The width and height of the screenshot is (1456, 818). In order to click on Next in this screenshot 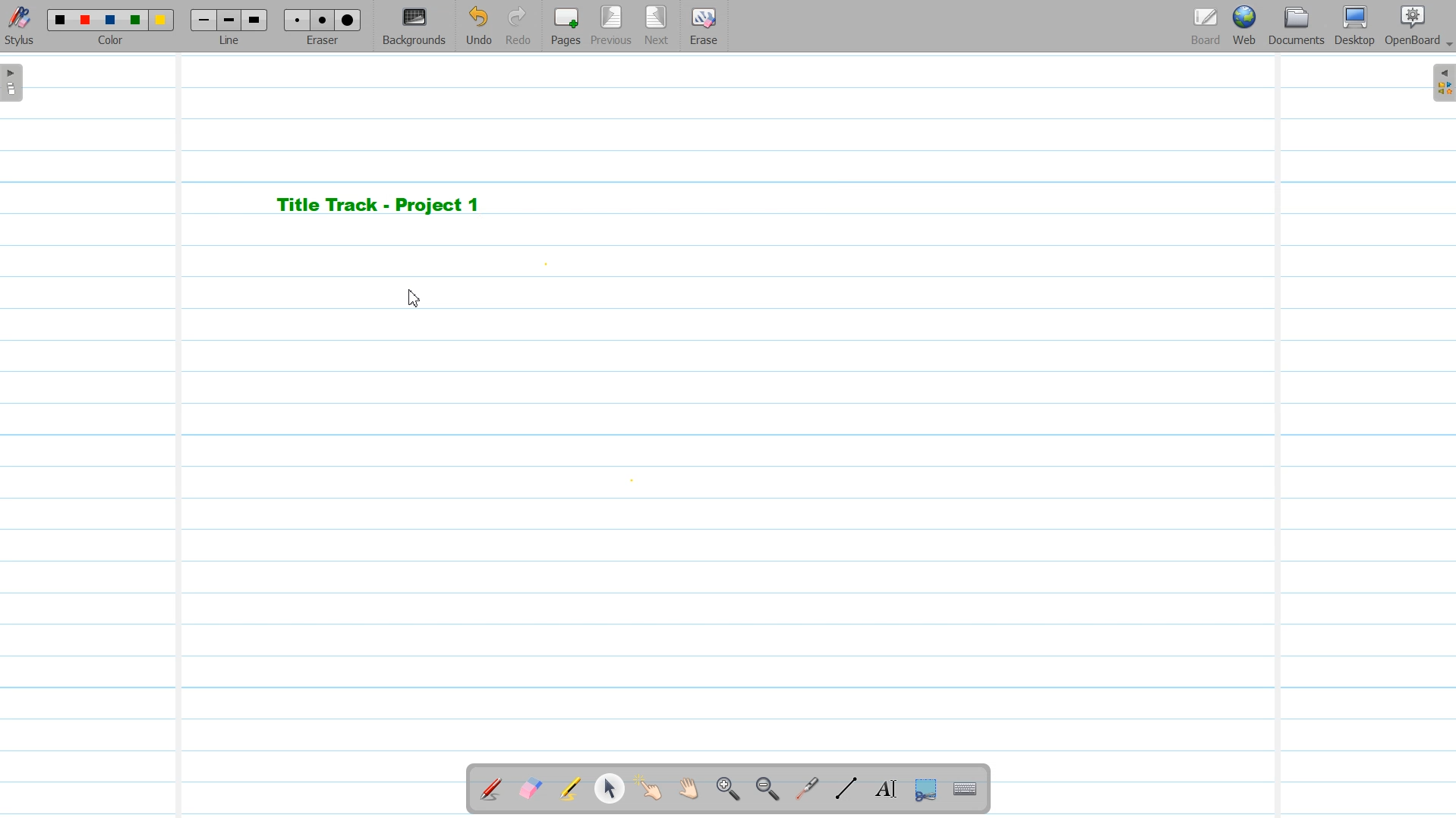, I will do `click(657, 27)`.